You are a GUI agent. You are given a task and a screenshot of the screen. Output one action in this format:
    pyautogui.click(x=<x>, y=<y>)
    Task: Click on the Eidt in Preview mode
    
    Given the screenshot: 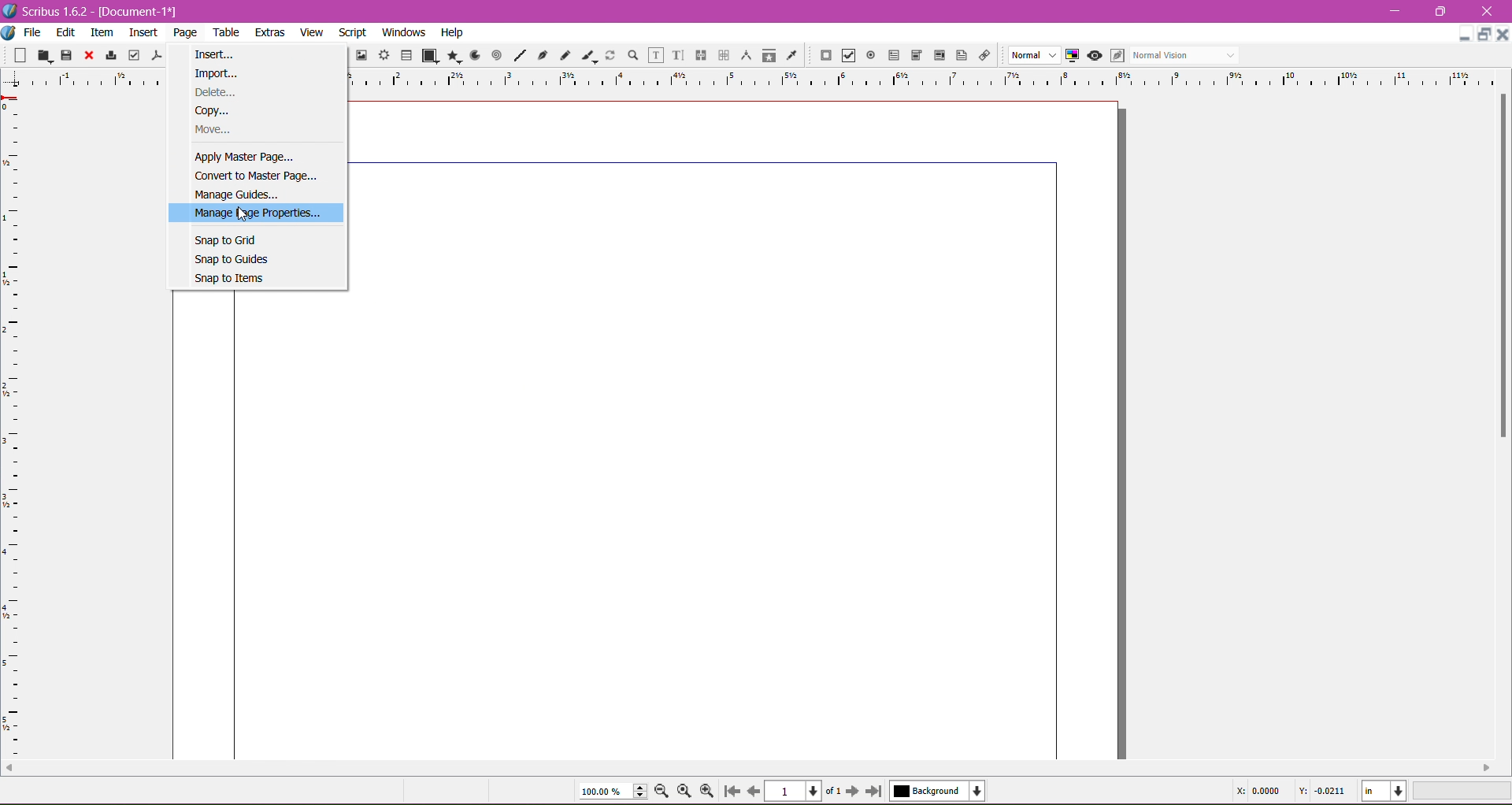 What is the action you would take?
    pyautogui.click(x=1117, y=56)
    